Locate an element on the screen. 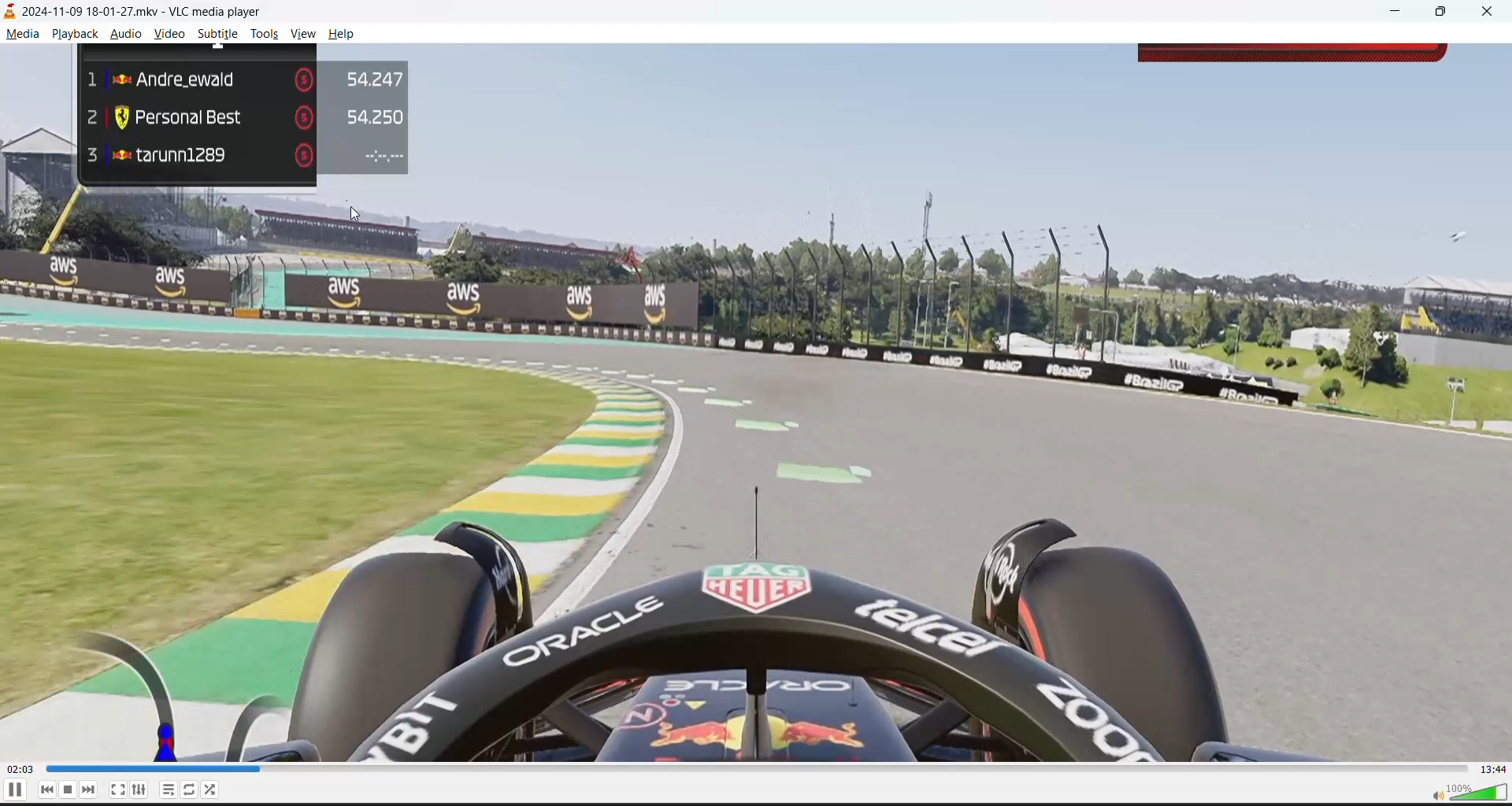 The image size is (1512, 806). video is located at coordinates (169, 36).